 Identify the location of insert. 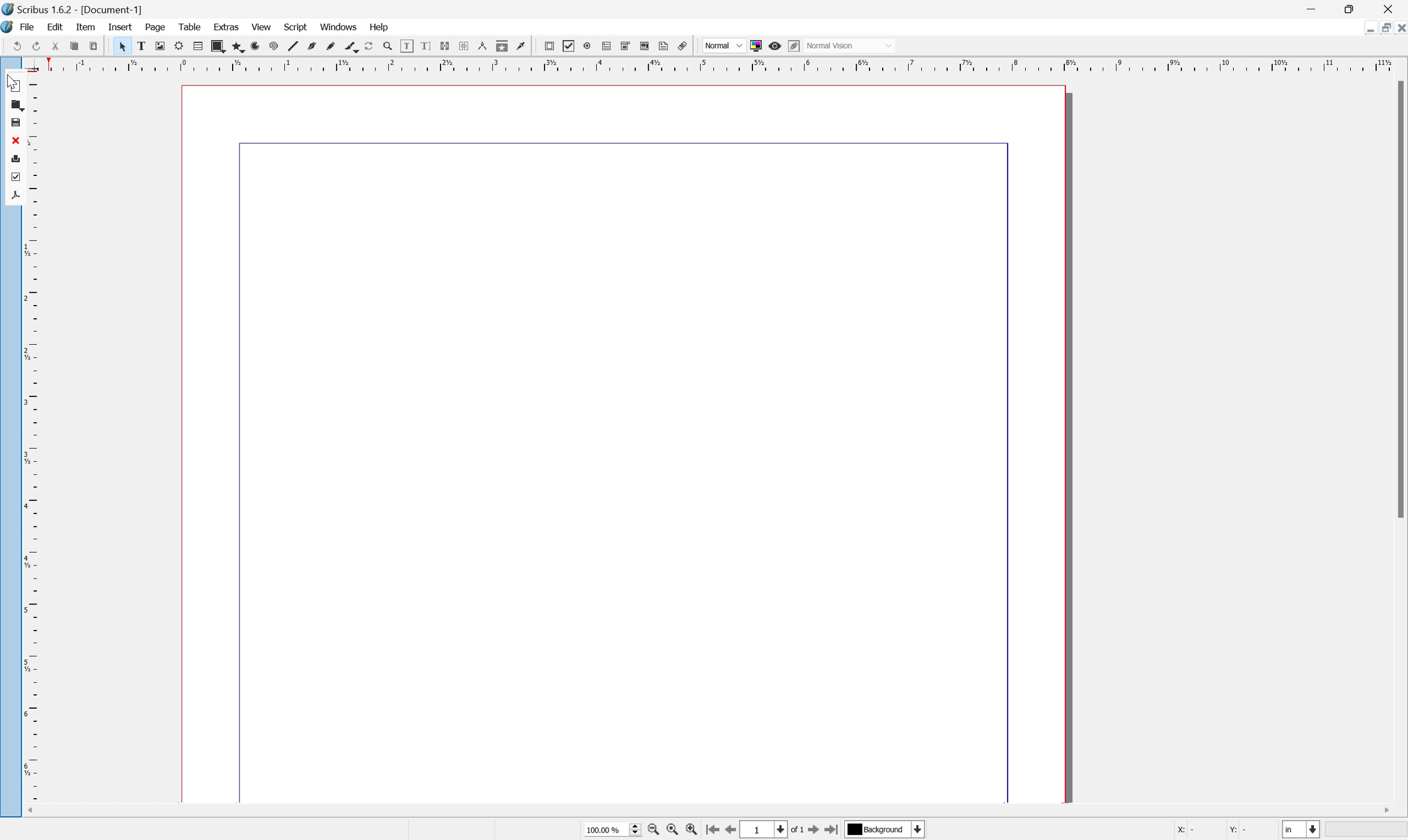
(122, 26).